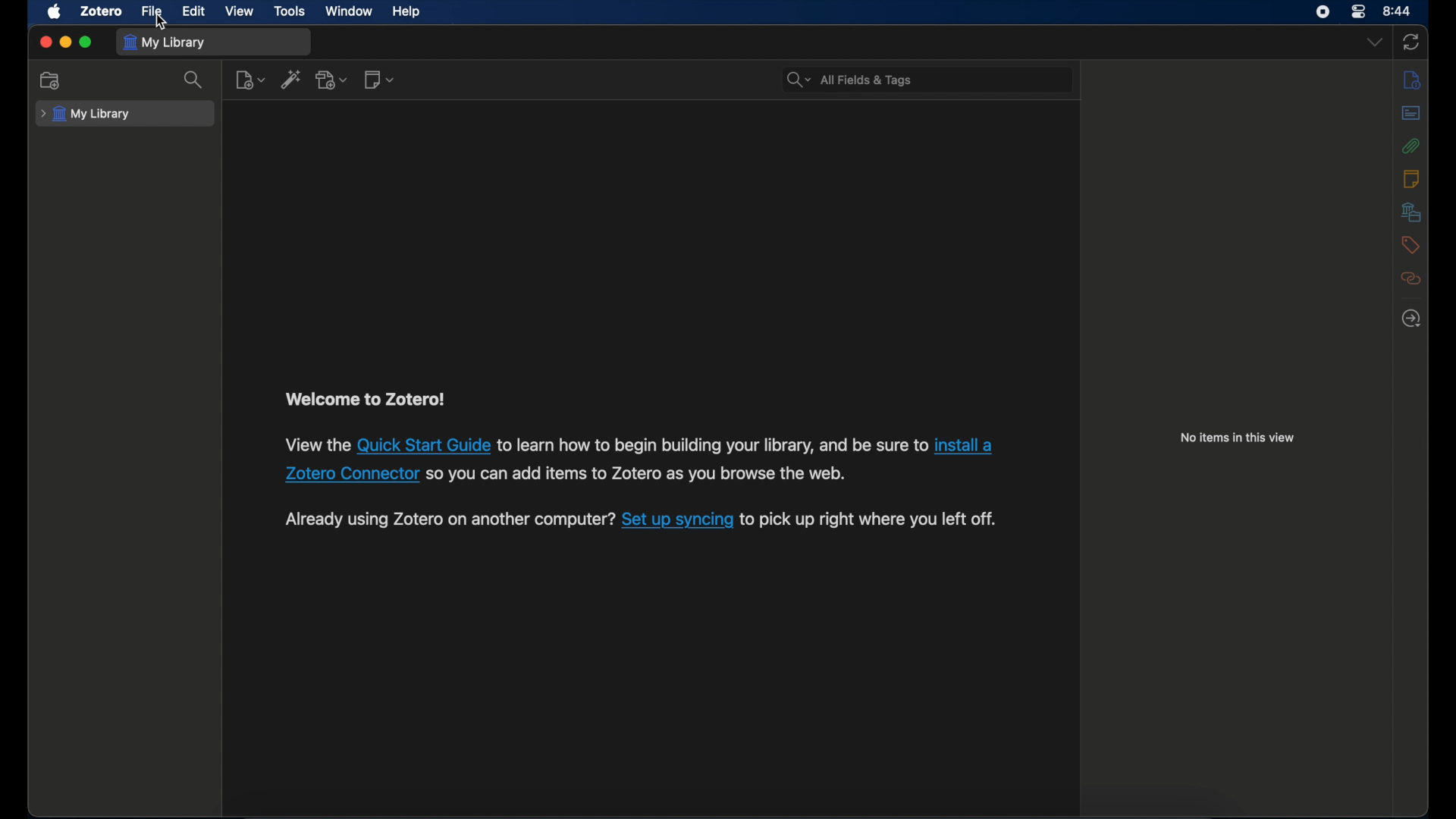  Describe the element at coordinates (315, 447) in the screenshot. I see `software information` at that location.